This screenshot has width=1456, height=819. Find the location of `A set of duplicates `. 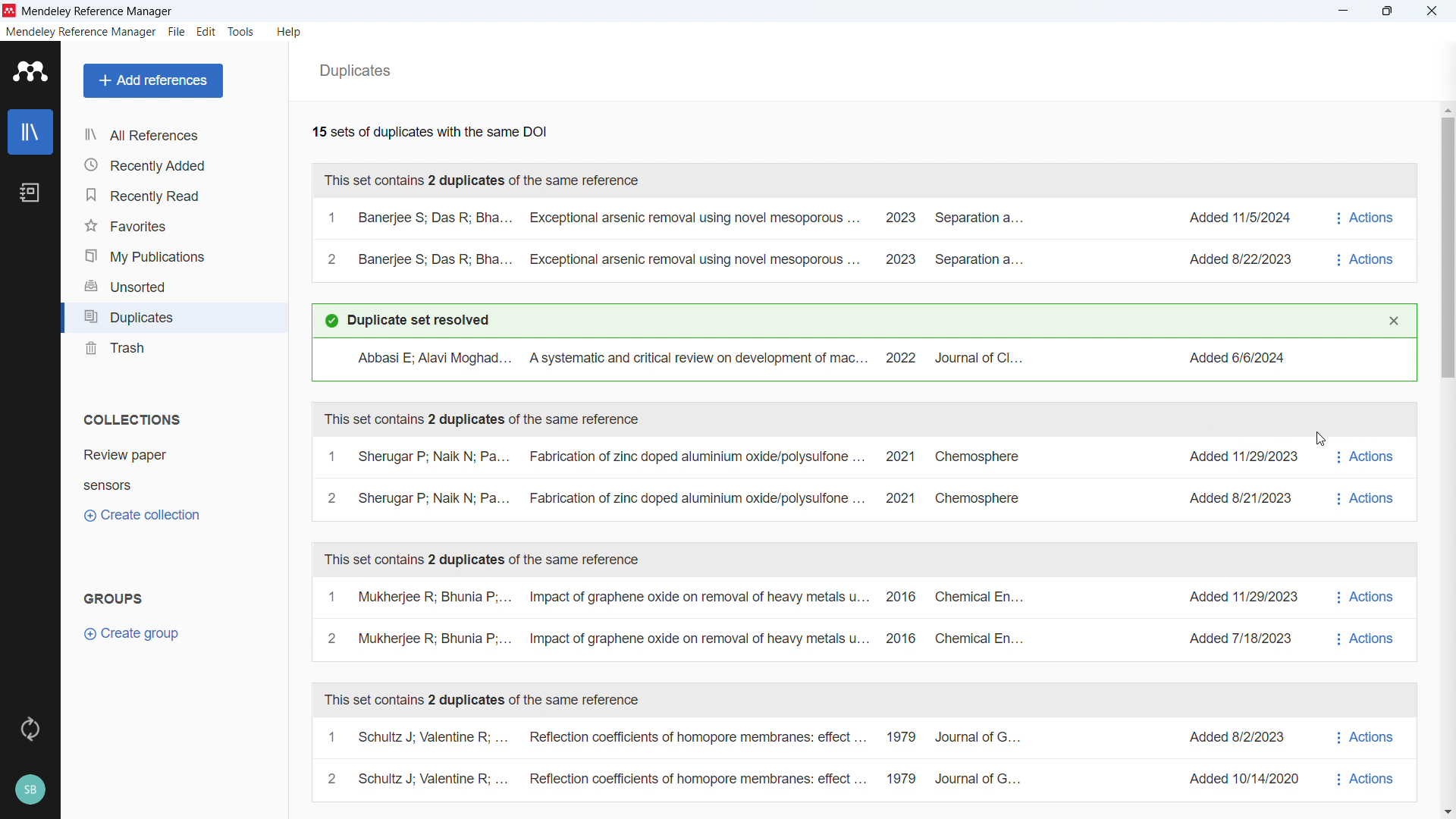

A set of duplicates  is located at coordinates (812, 620).